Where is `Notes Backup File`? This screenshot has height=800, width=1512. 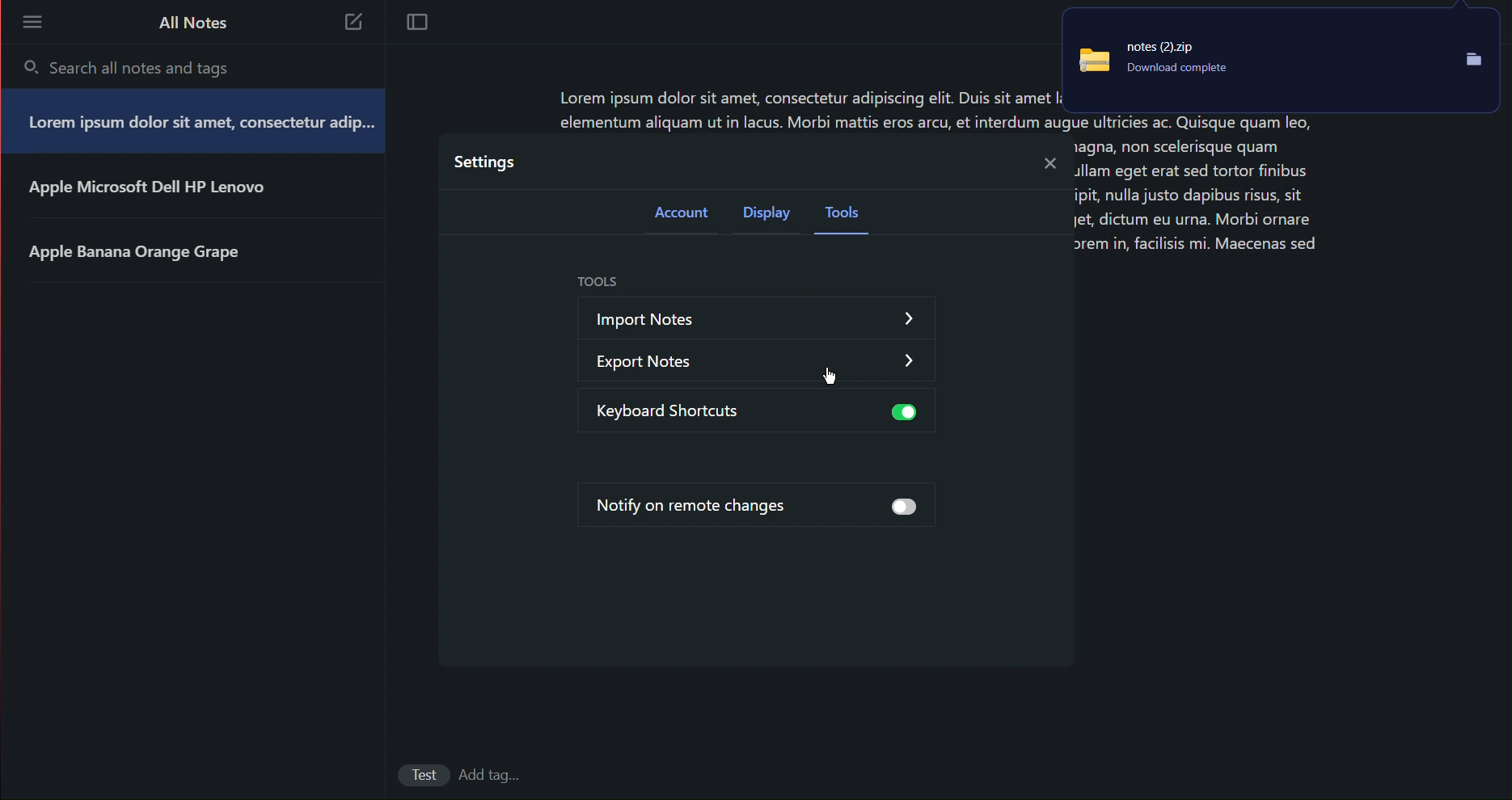
Notes Backup File is located at coordinates (1284, 61).